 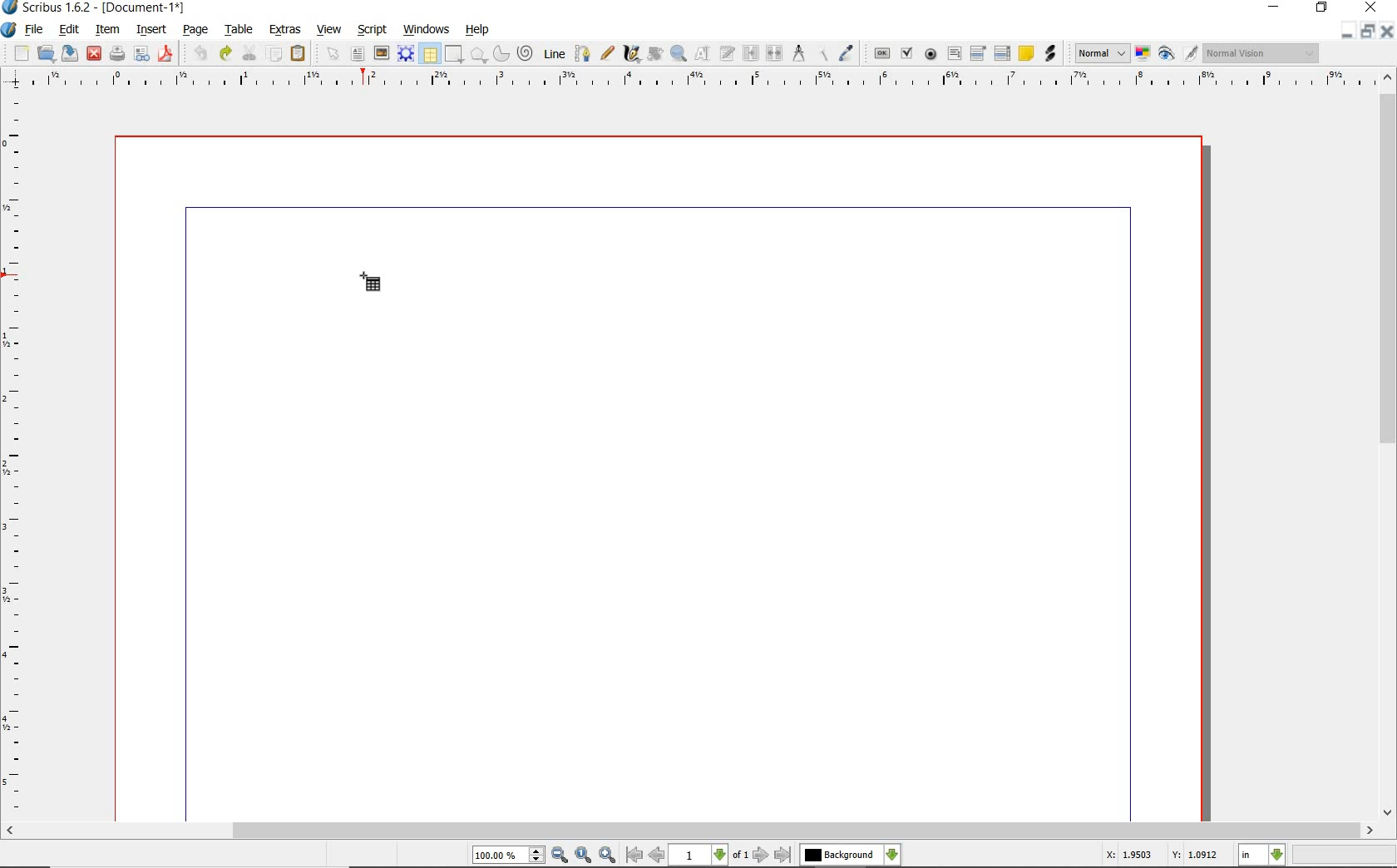 What do you see at coordinates (373, 30) in the screenshot?
I see `script` at bounding box center [373, 30].